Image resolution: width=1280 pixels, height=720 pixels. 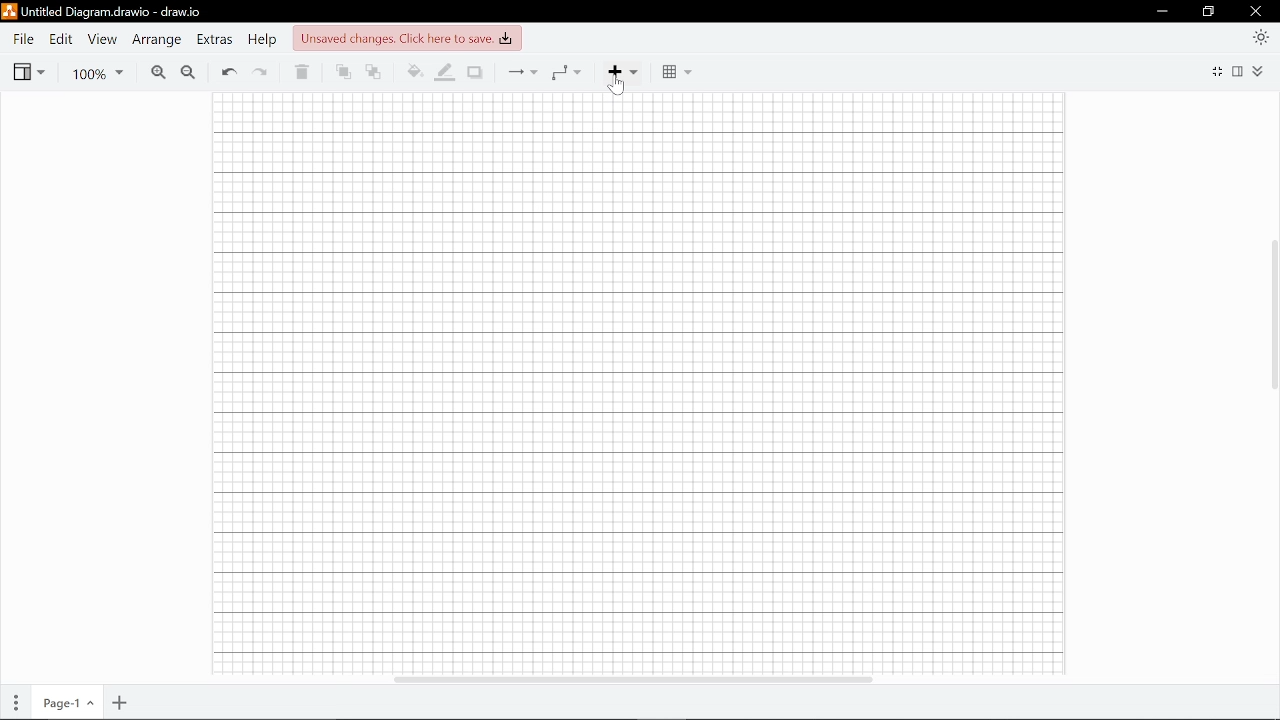 What do you see at coordinates (14, 703) in the screenshot?
I see `Pages` at bounding box center [14, 703].